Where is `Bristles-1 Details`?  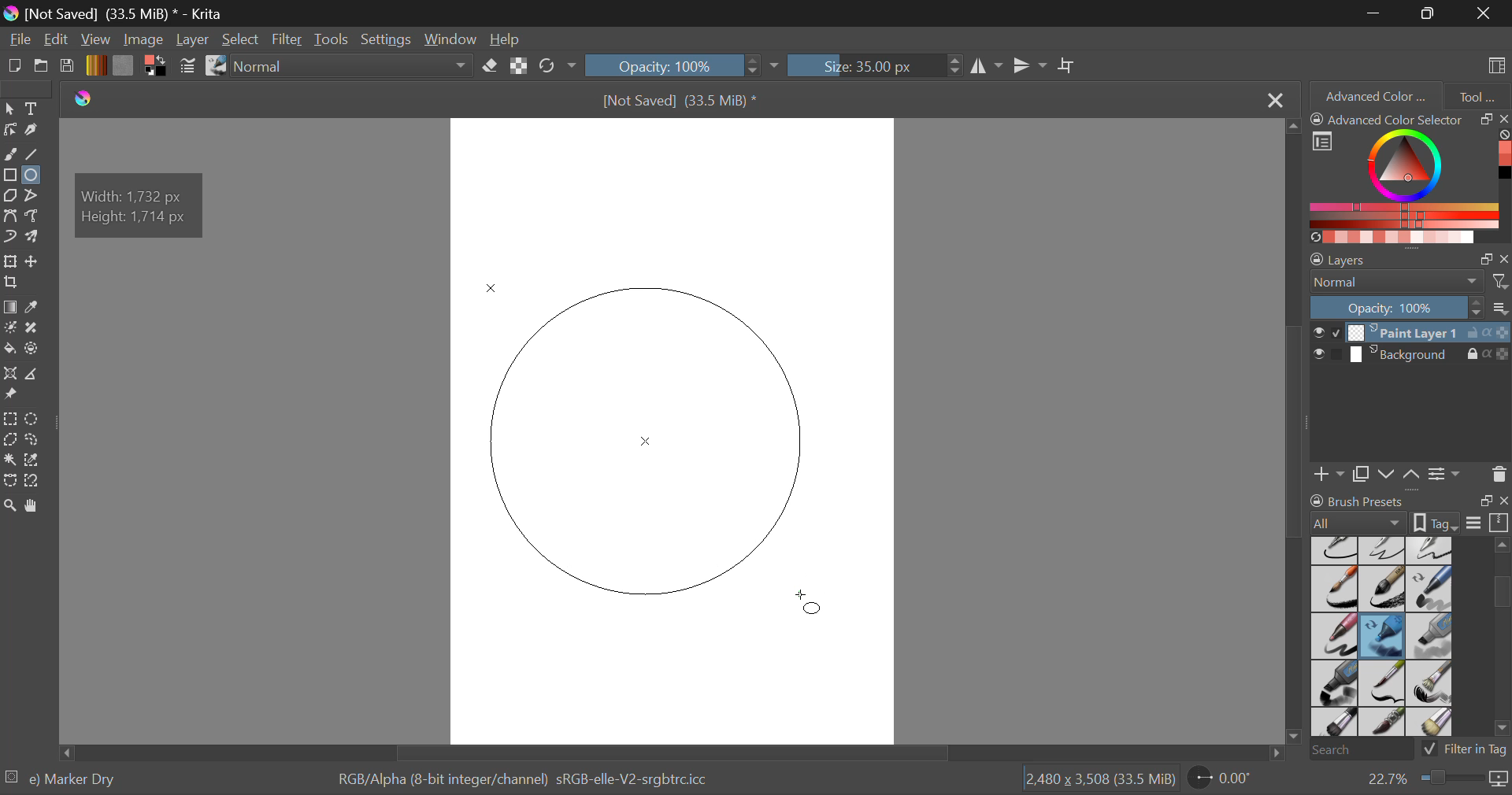
Bristles-1 Details is located at coordinates (1383, 682).